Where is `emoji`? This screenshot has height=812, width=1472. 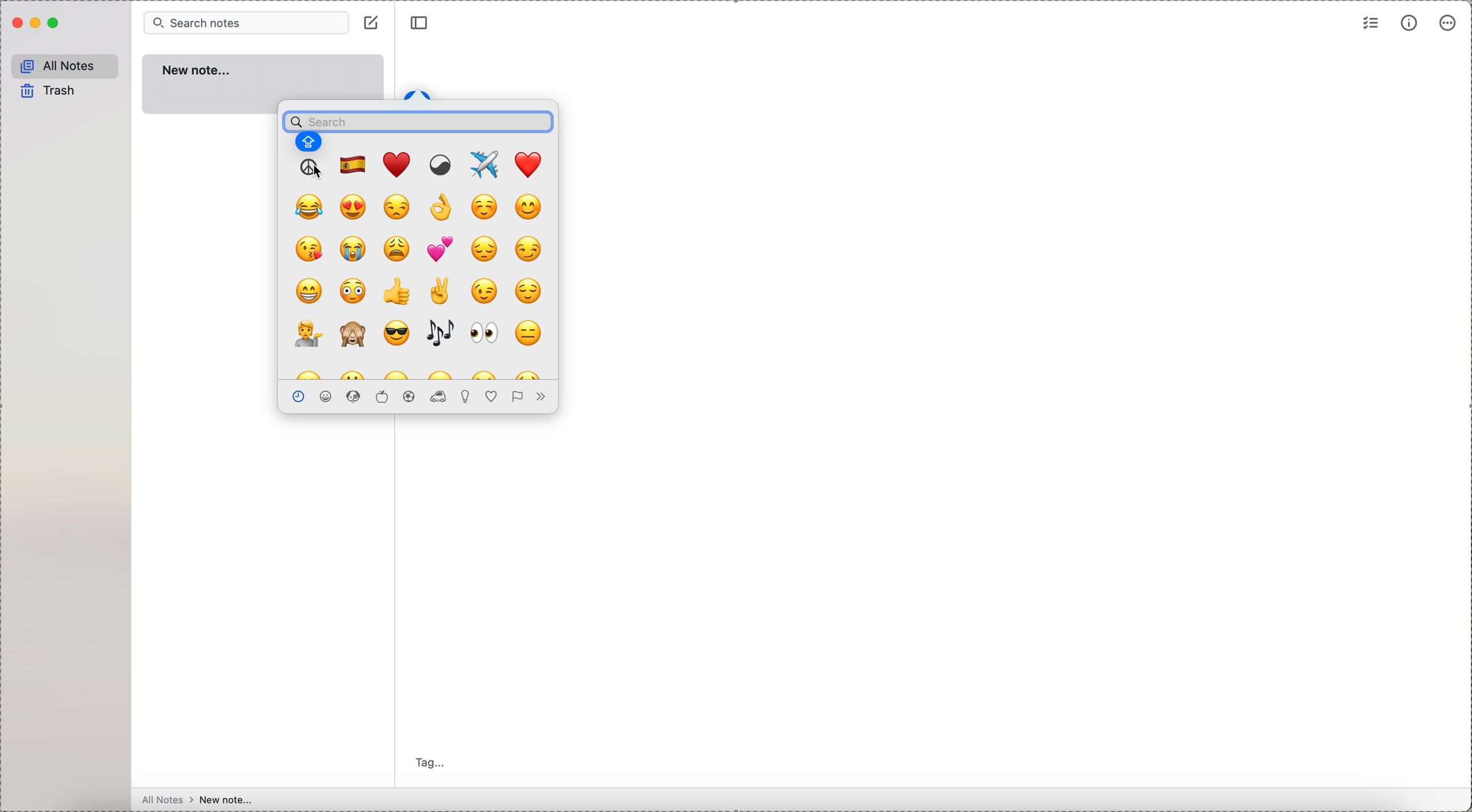 emoji is located at coordinates (354, 207).